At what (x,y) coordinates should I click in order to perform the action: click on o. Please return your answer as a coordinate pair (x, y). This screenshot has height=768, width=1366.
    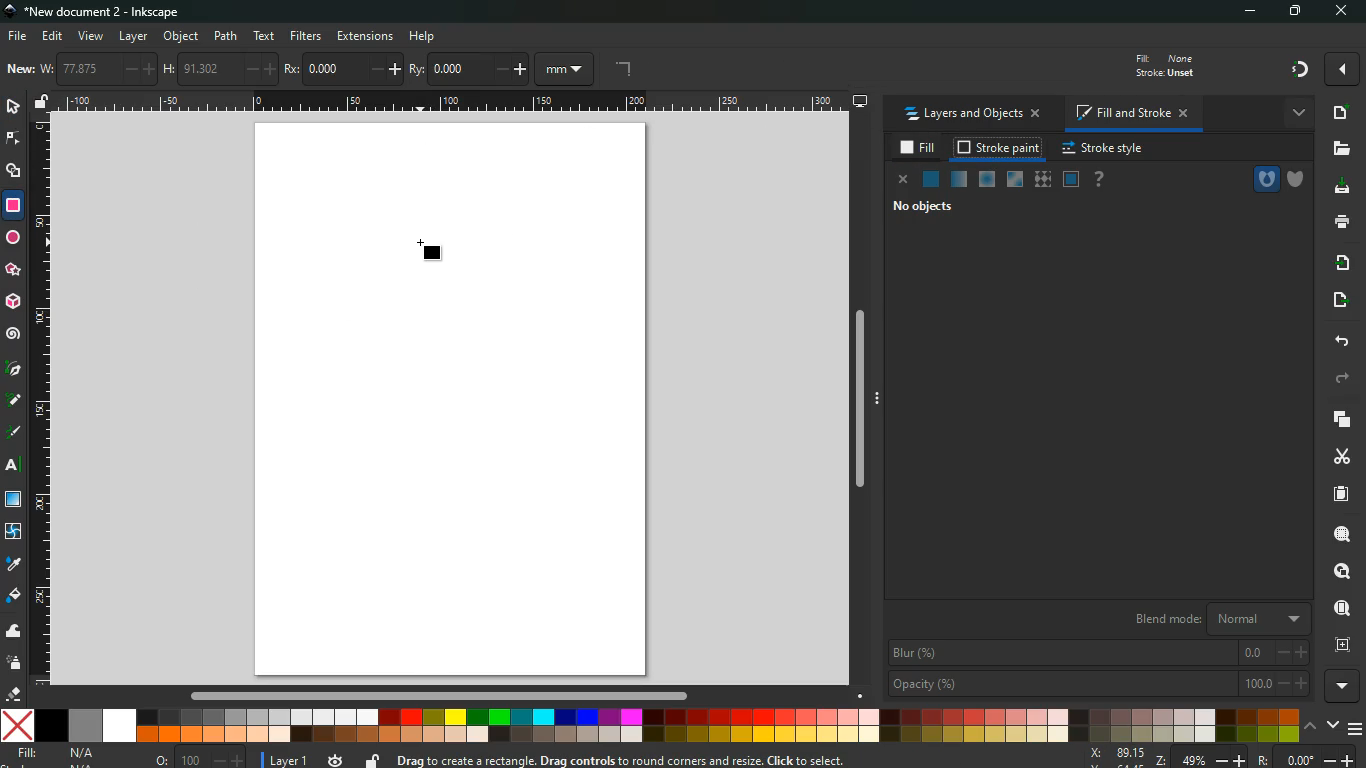
    Looking at the image, I should click on (195, 758).